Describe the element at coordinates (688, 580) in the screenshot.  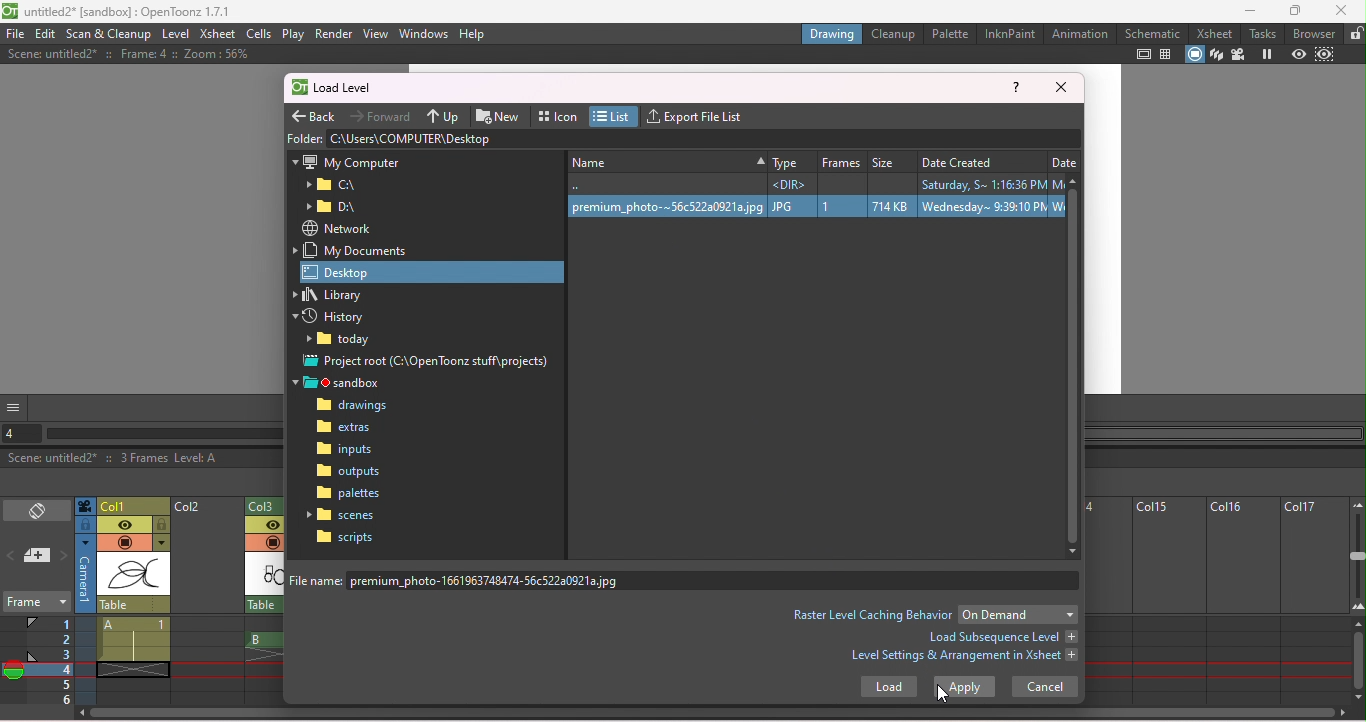
I see `file name ` at that location.